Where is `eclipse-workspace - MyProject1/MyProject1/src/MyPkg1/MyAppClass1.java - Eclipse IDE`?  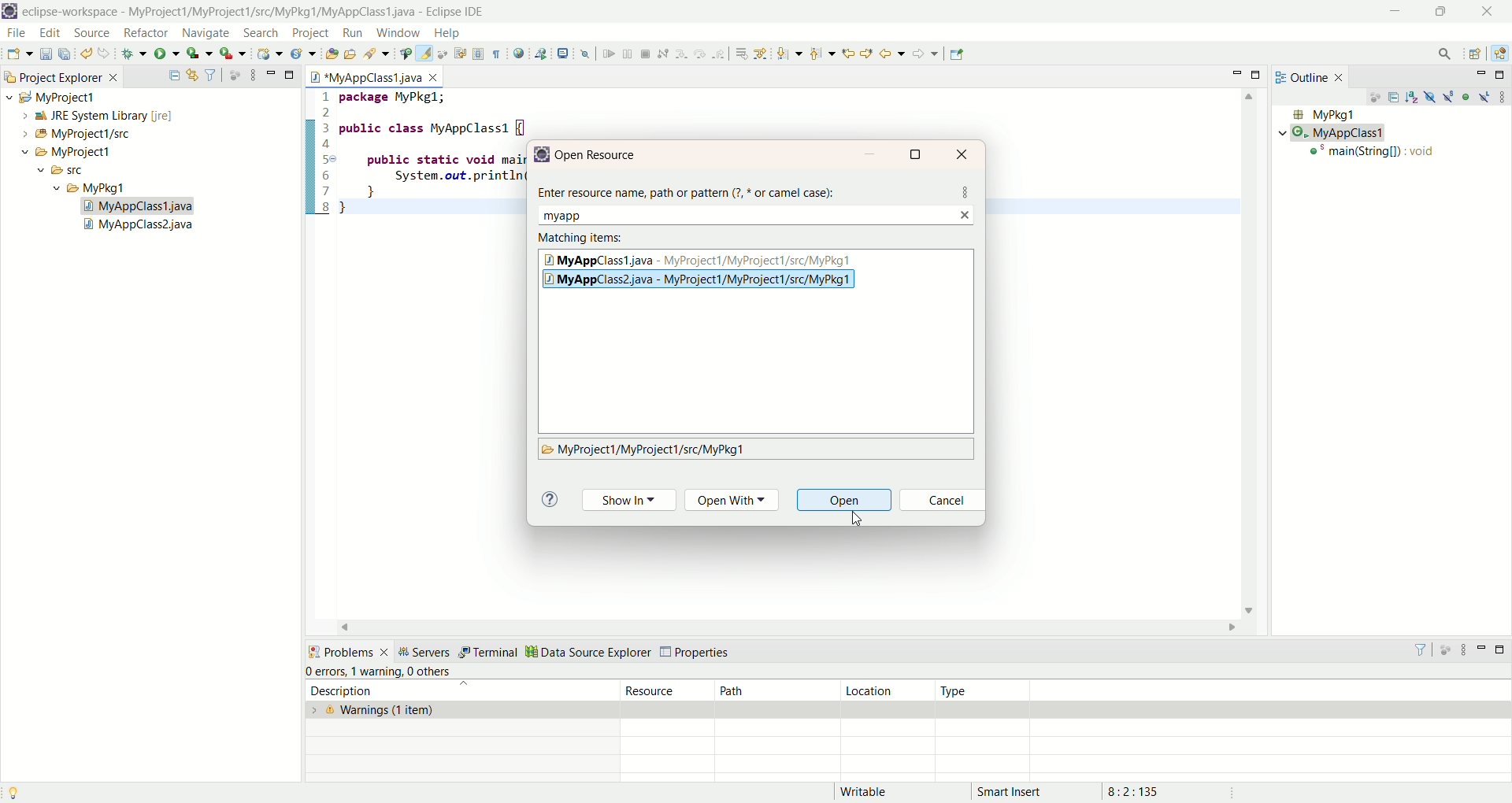 eclipse-workspace - MyProject1/MyProject1/src/MyPkg1/MyAppClass1.java - Eclipse IDE is located at coordinates (258, 12).